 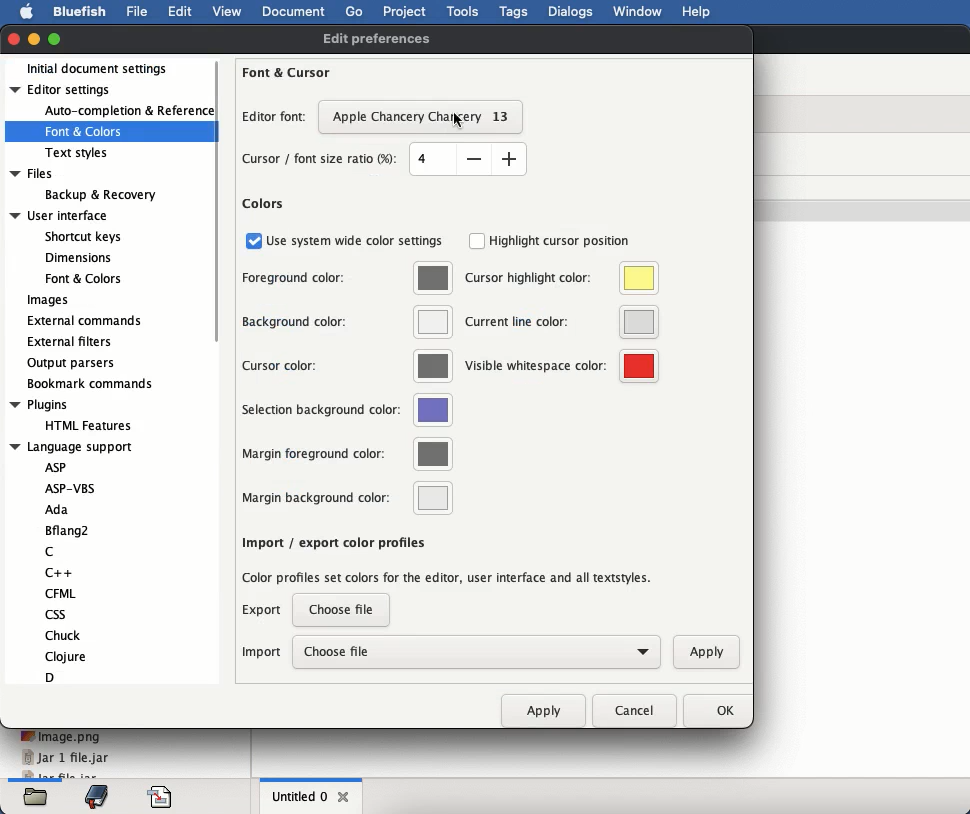 I want to click on cursor highlight color, so click(x=561, y=279).